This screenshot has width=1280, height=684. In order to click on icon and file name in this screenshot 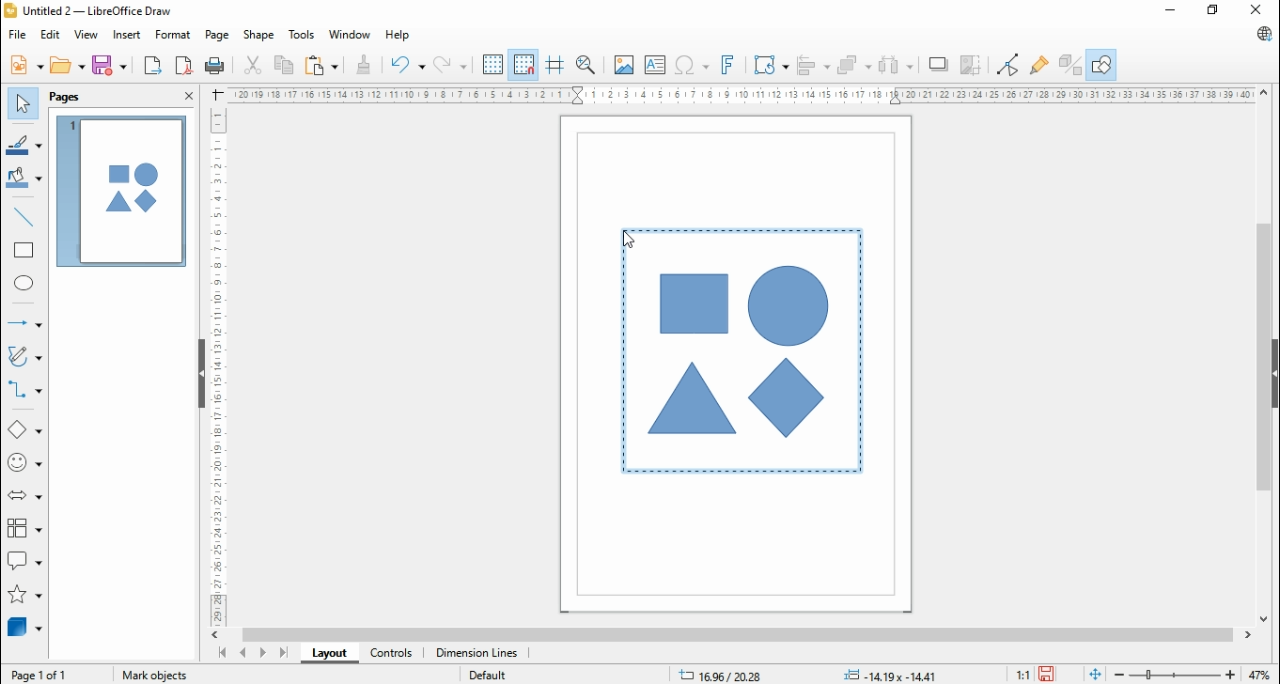, I will do `click(90, 10)`.